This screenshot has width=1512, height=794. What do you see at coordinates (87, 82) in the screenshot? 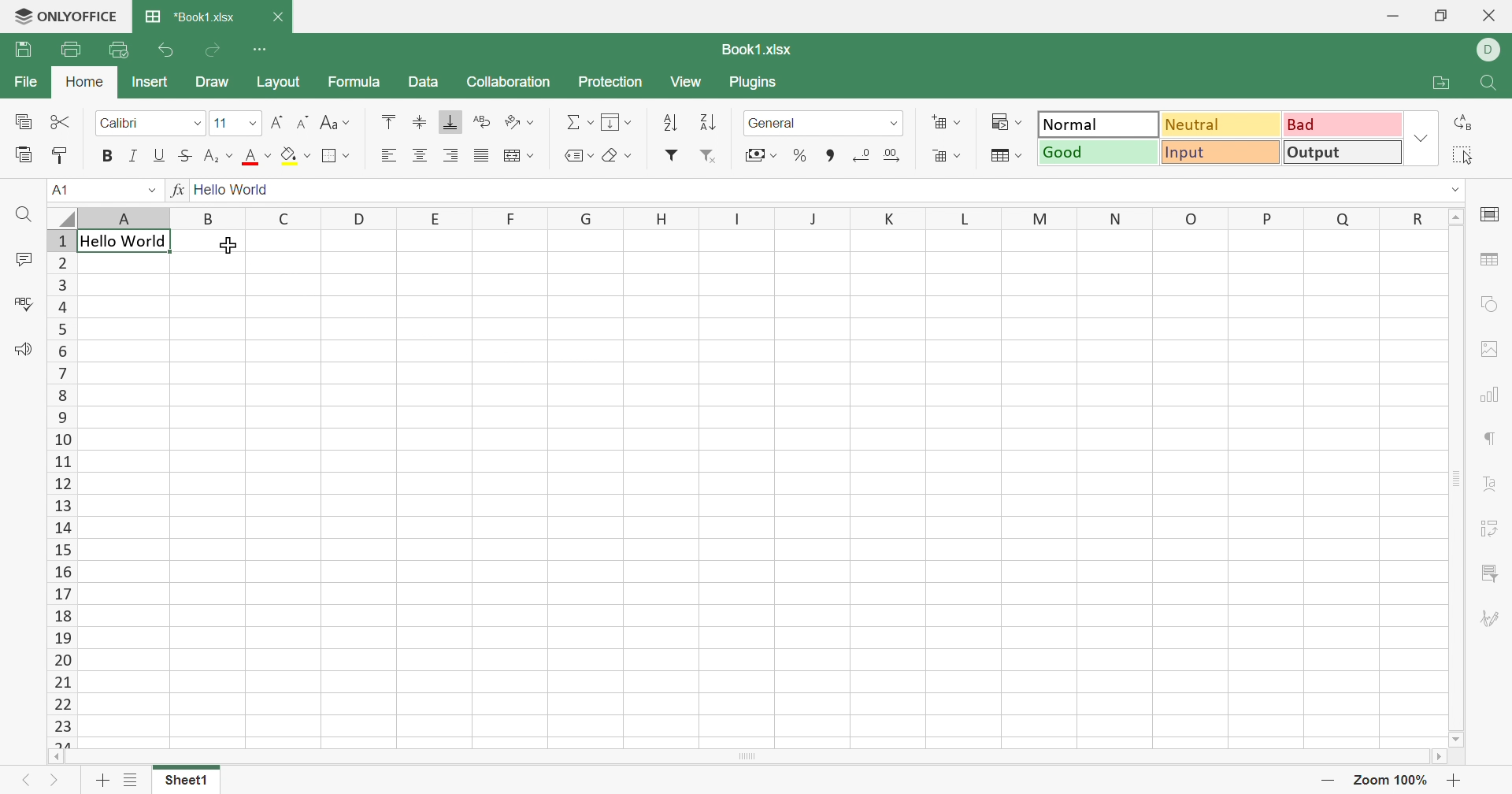
I see `Home` at bounding box center [87, 82].